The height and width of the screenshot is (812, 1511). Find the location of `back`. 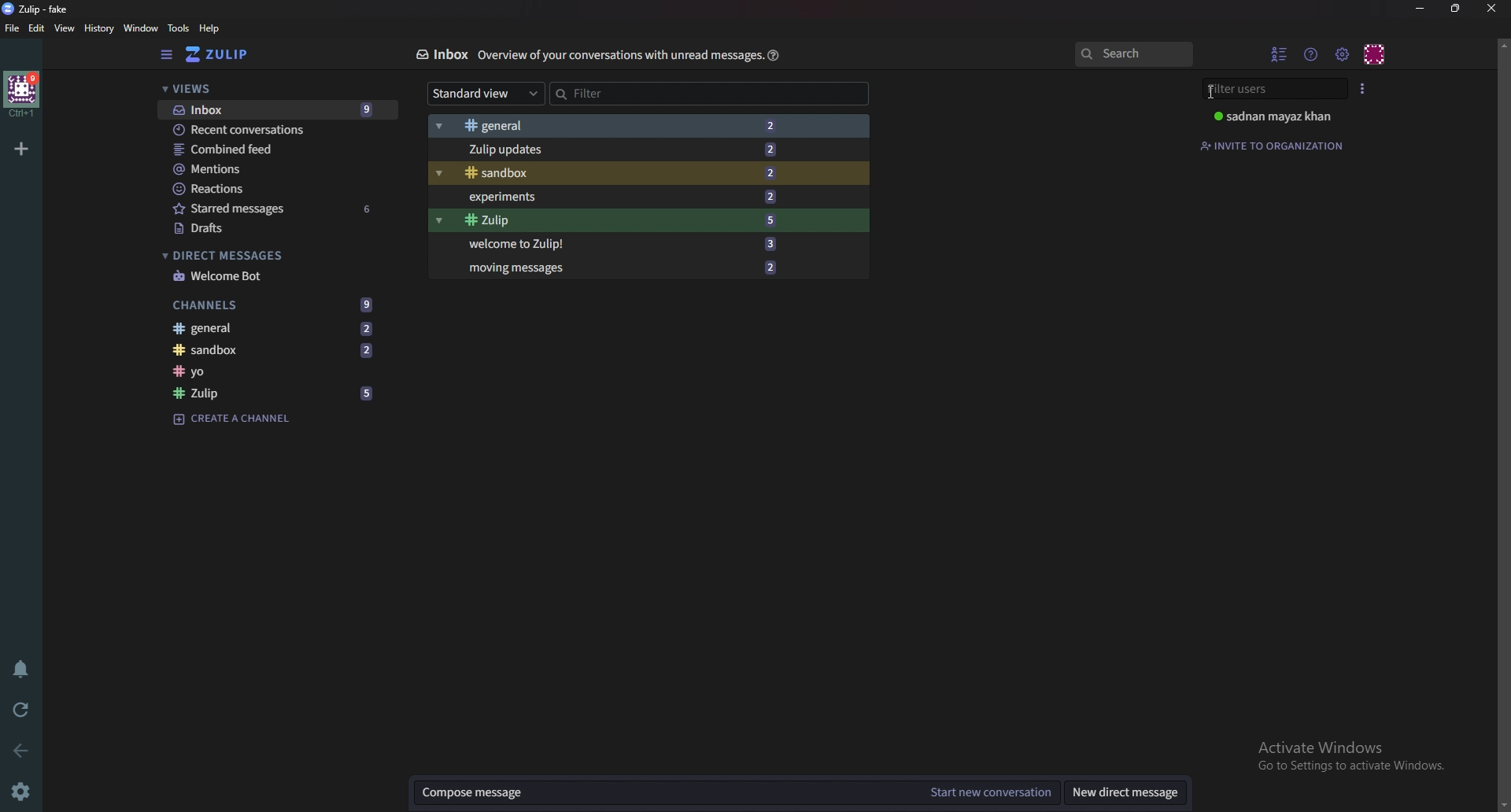

back is located at coordinates (17, 750).